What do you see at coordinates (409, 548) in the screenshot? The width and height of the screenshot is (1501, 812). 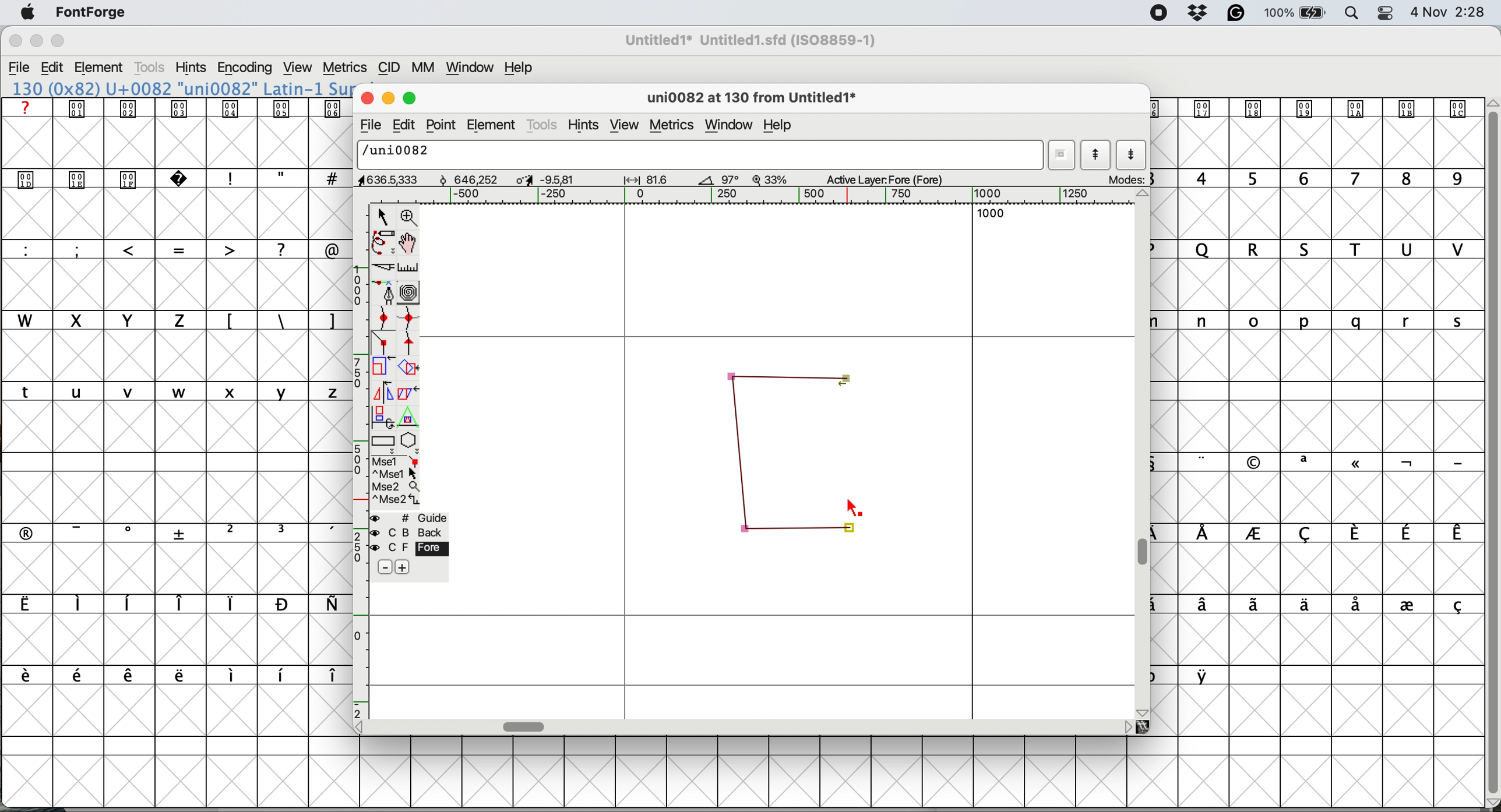 I see `fore` at bounding box center [409, 548].